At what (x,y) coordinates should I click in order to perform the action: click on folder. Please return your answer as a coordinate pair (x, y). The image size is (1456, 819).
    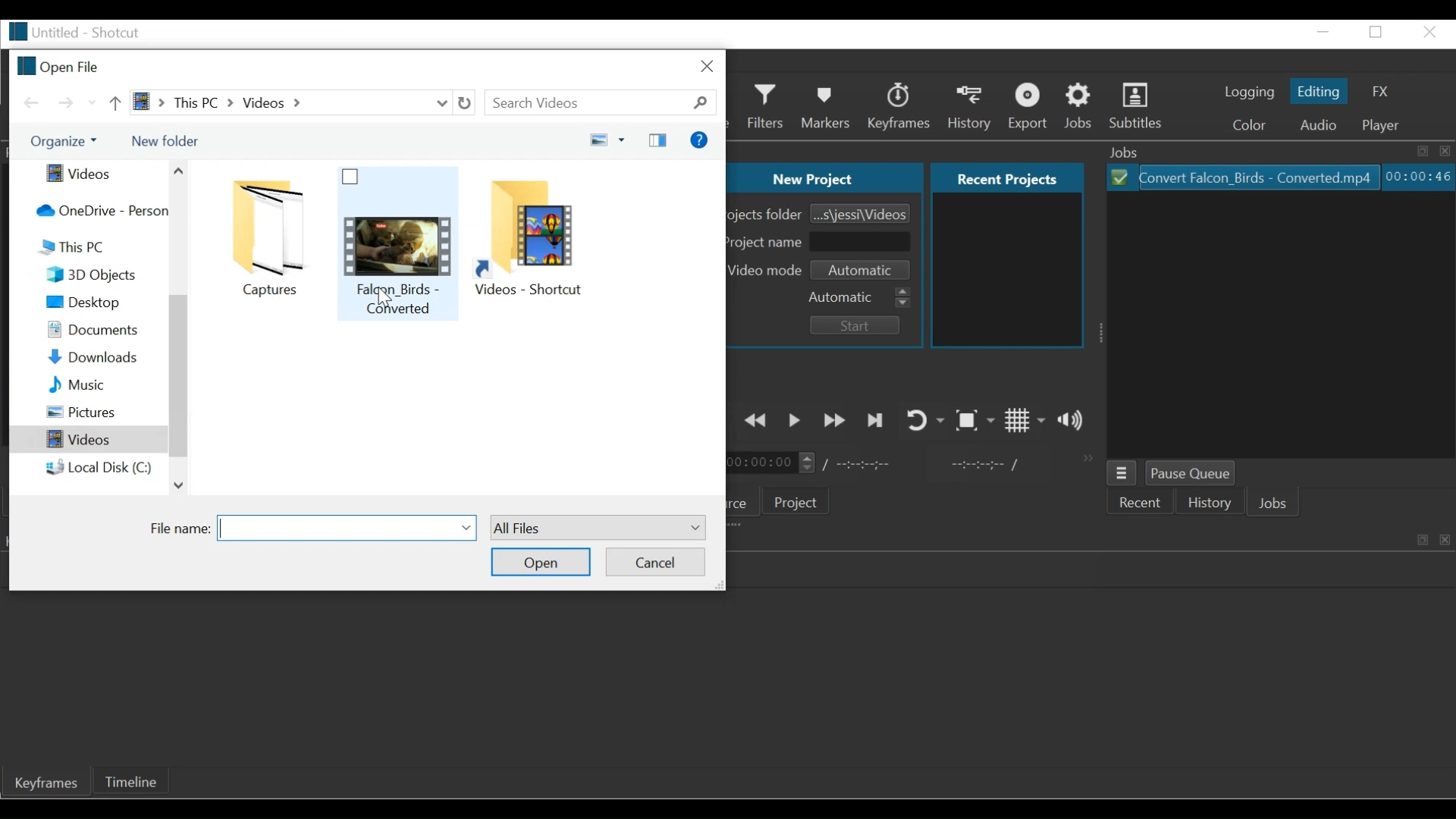
    Looking at the image, I should click on (259, 234).